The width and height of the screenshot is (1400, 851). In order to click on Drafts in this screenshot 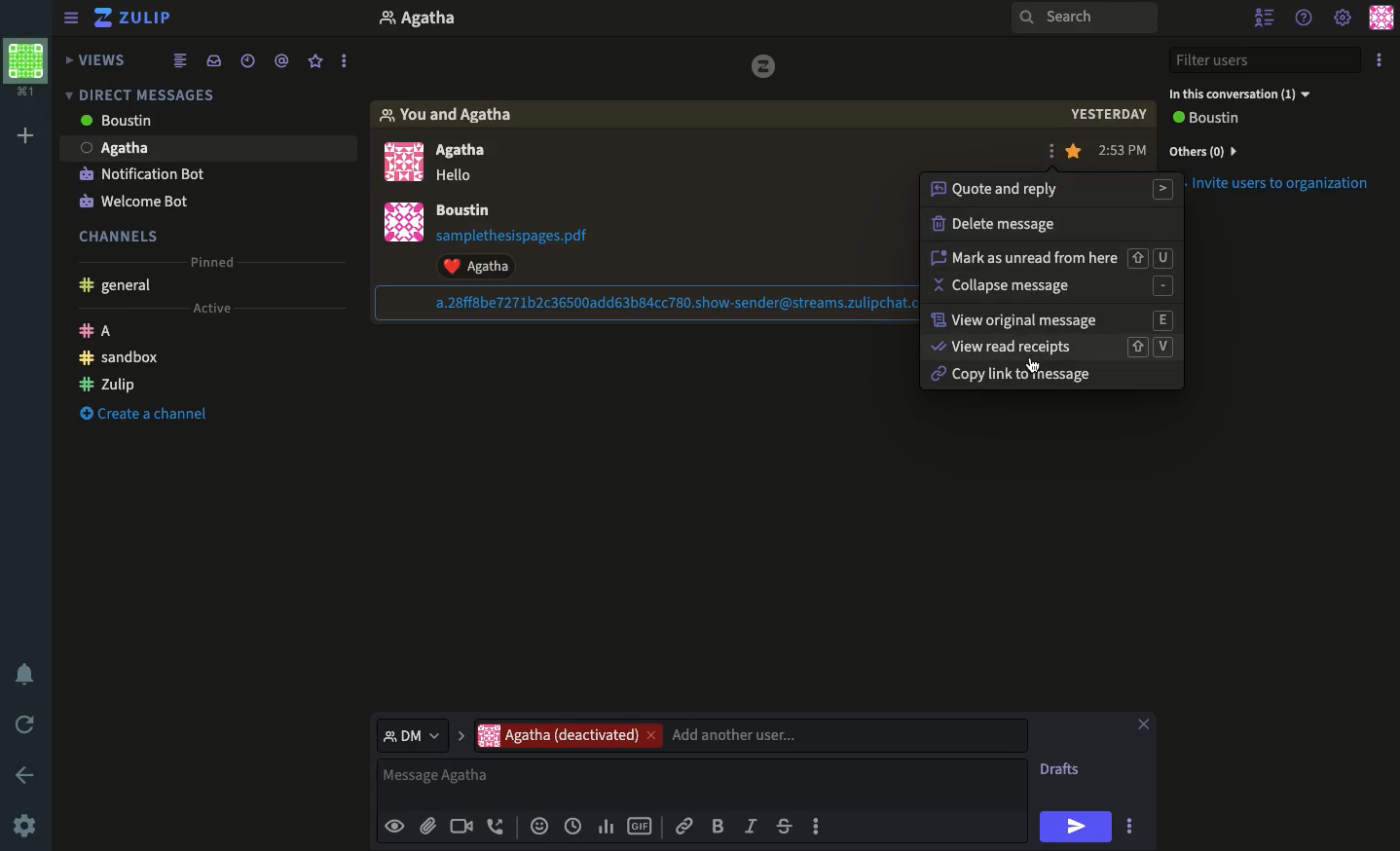, I will do `click(1062, 771)`.